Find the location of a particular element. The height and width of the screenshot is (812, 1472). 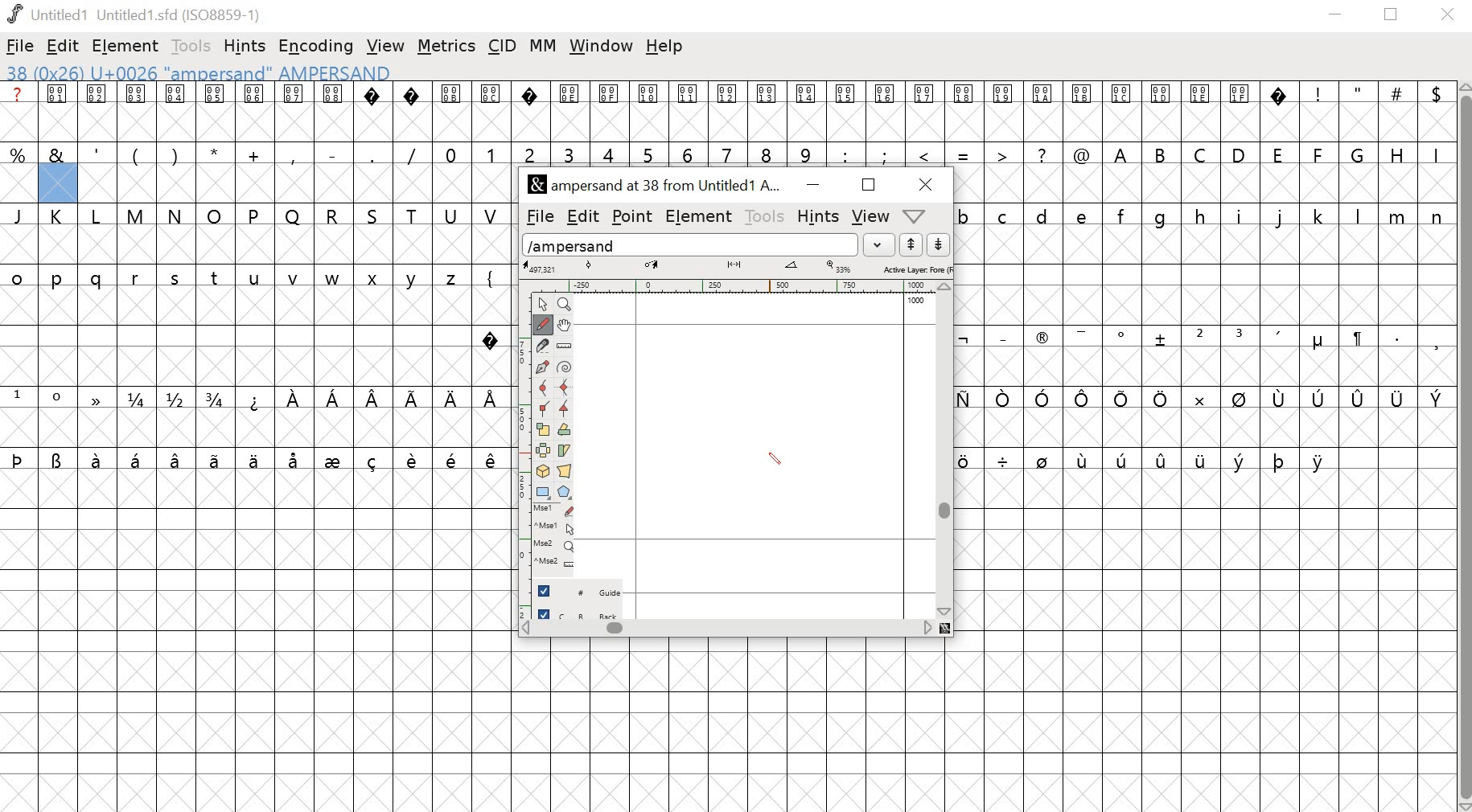

Mse1 is located at coordinates (555, 510).